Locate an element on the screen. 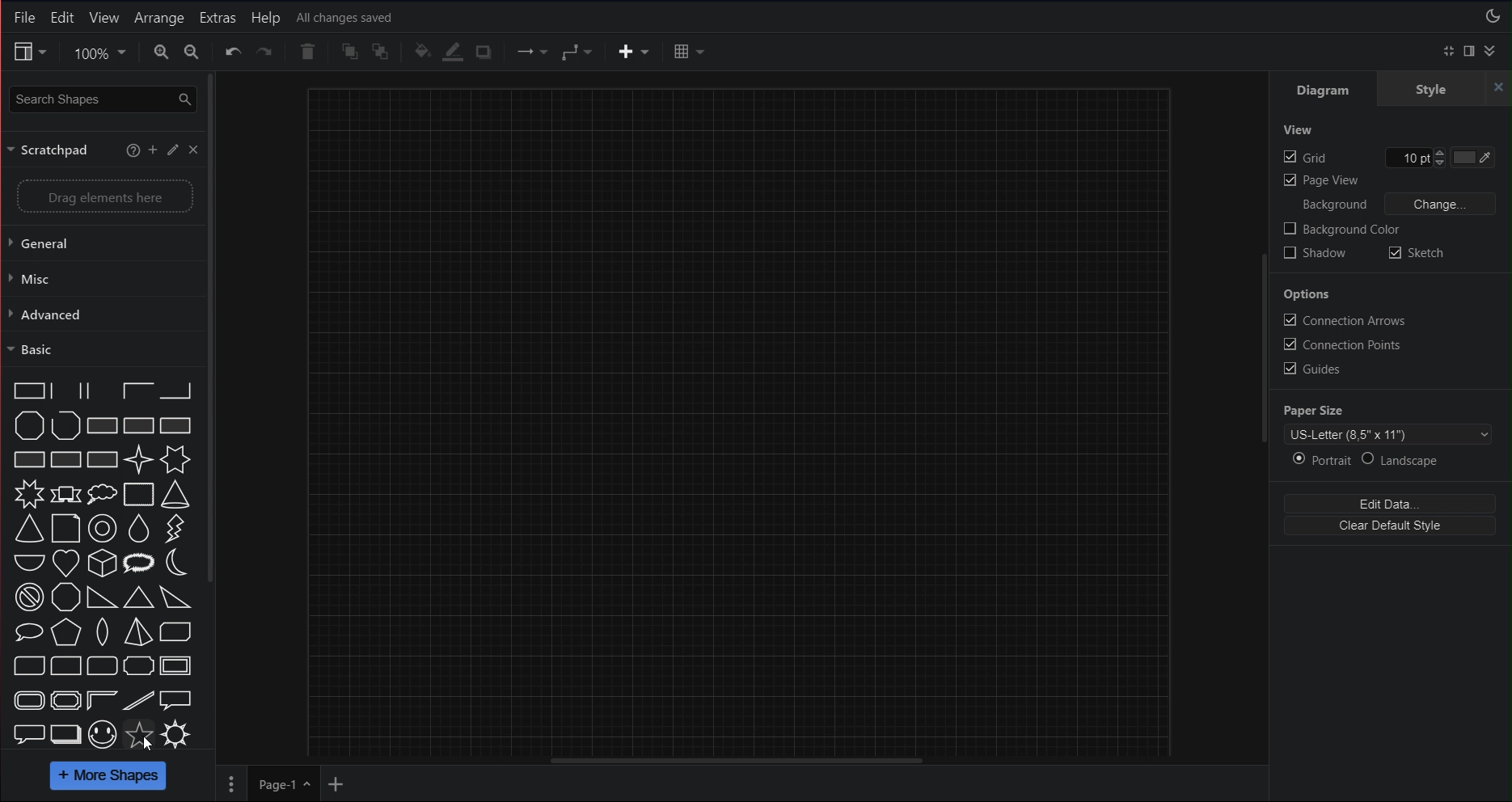 Image resolution: width=1512 pixels, height=802 pixels. Fill Color is located at coordinates (1472, 157).